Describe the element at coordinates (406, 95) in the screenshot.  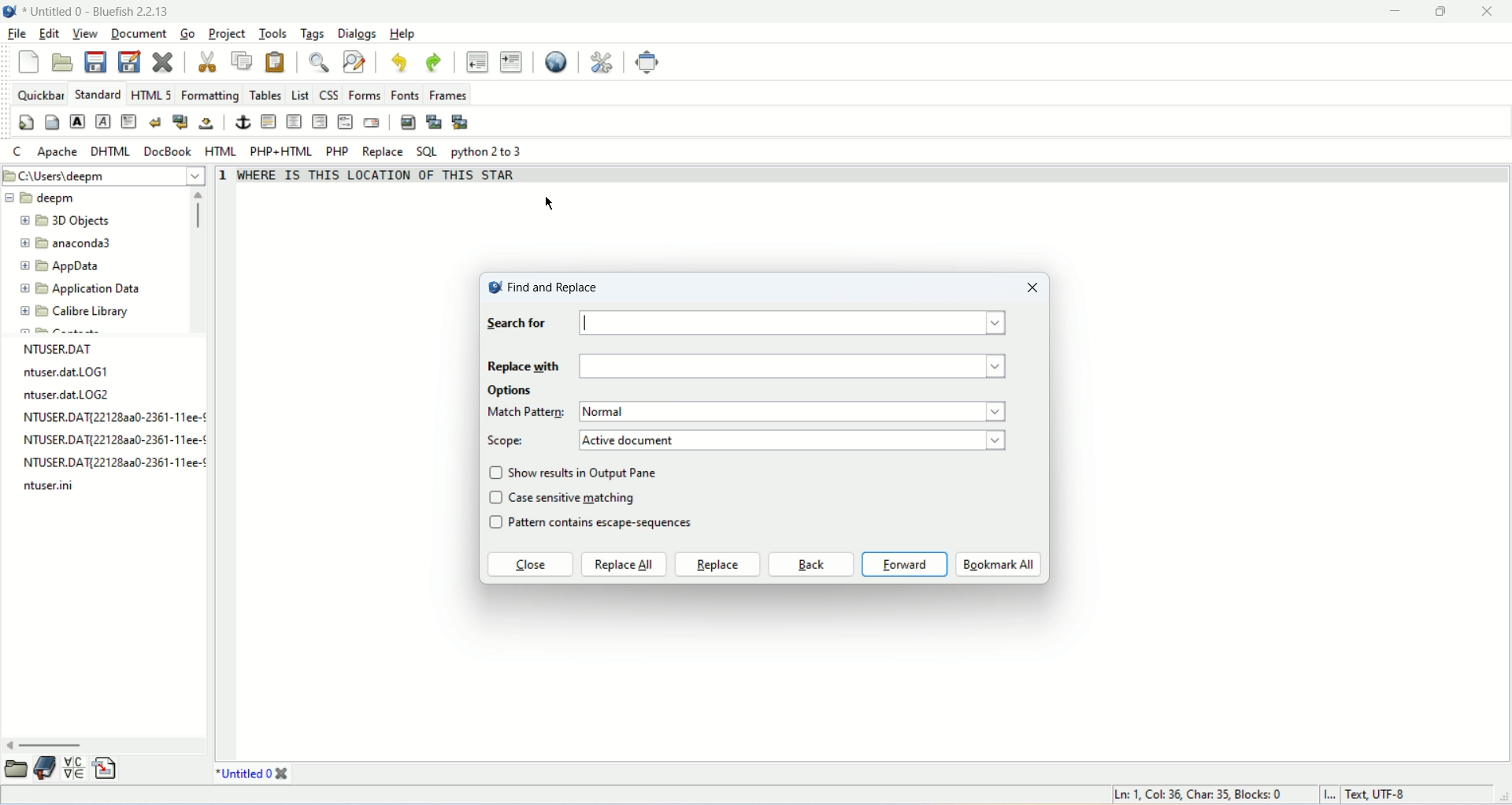
I see `fonts` at that location.